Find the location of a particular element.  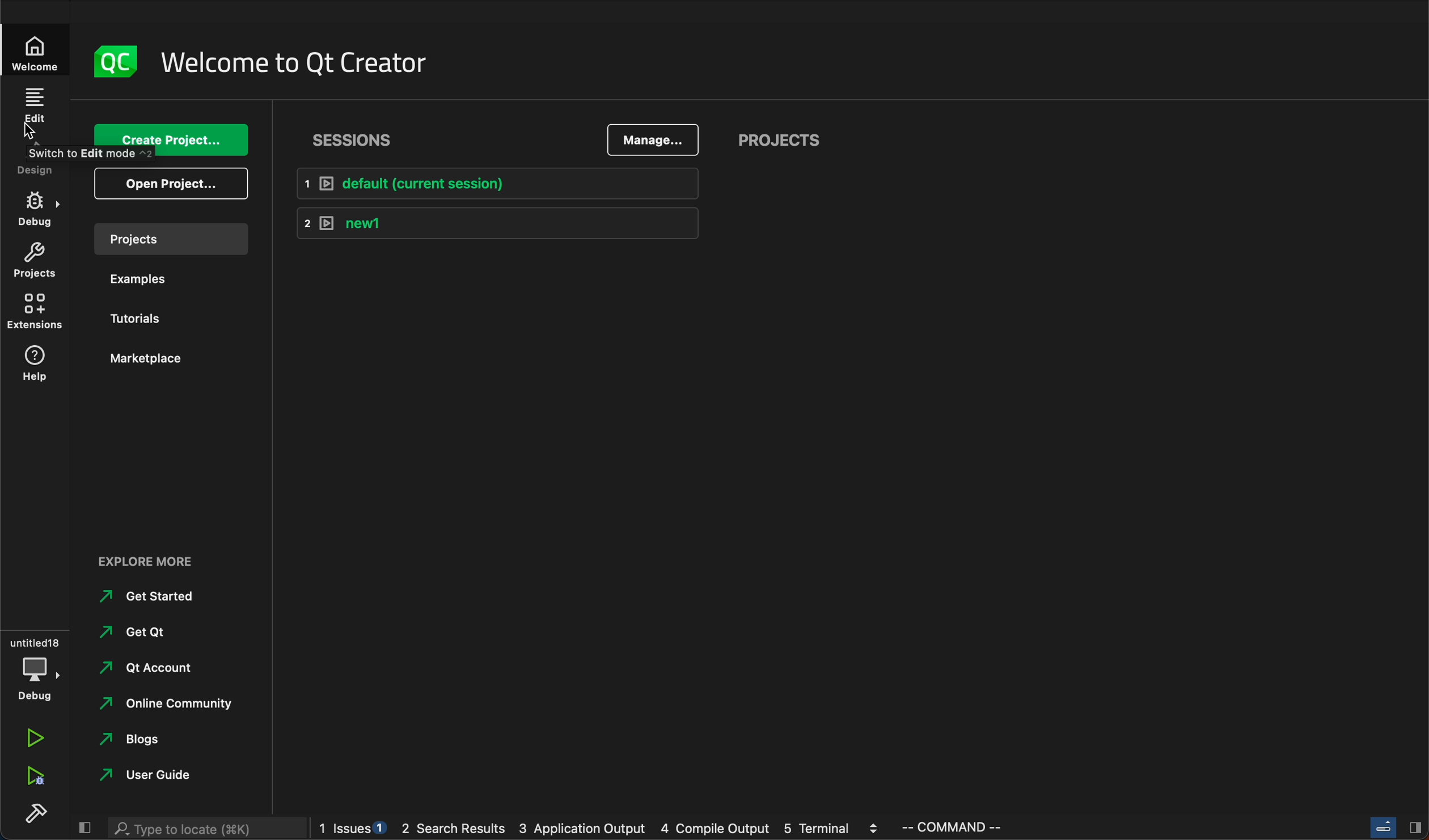

cursor is located at coordinates (32, 132).